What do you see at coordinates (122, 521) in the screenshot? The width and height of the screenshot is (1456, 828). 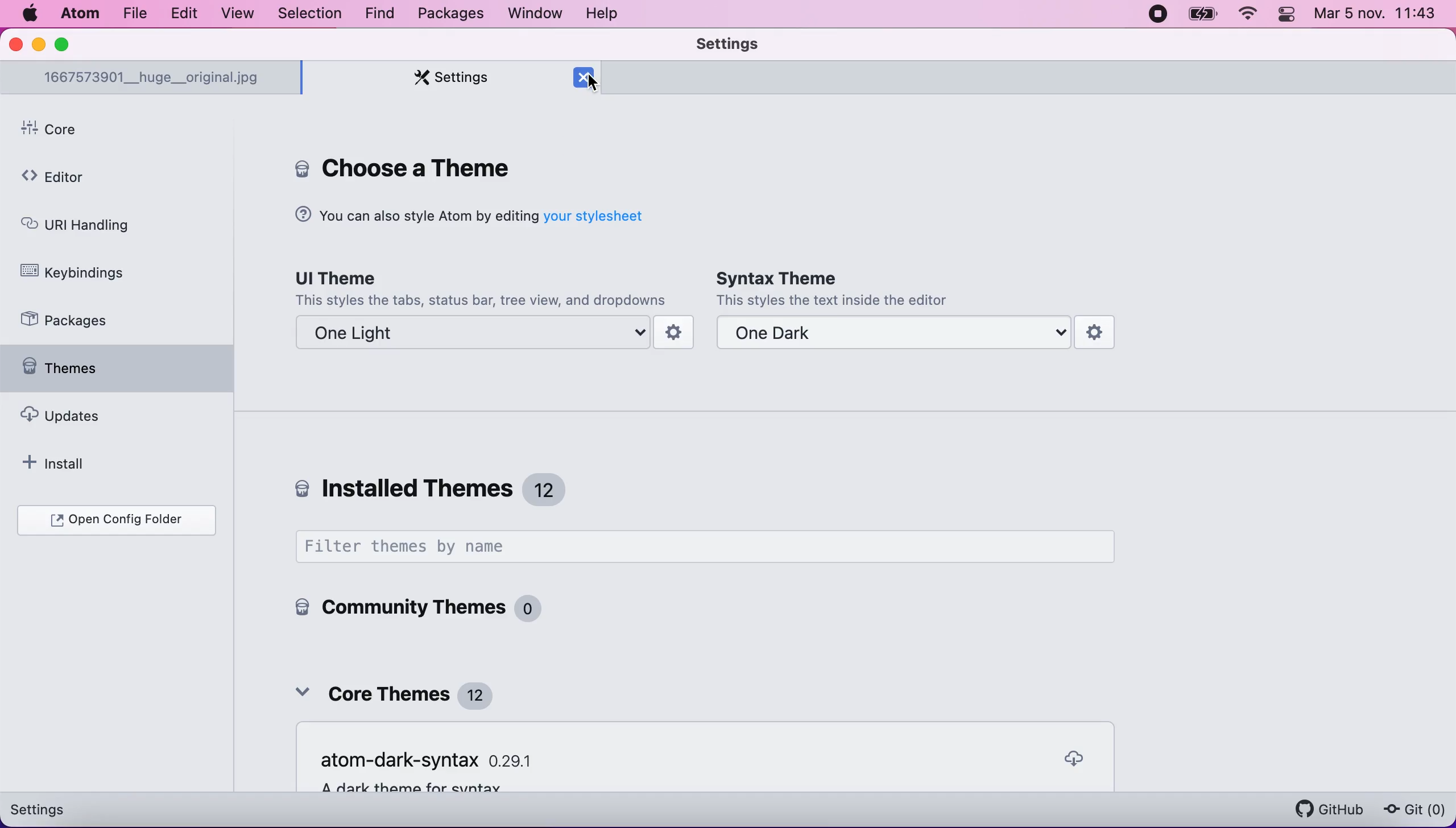 I see `open configuration folder` at bounding box center [122, 521].